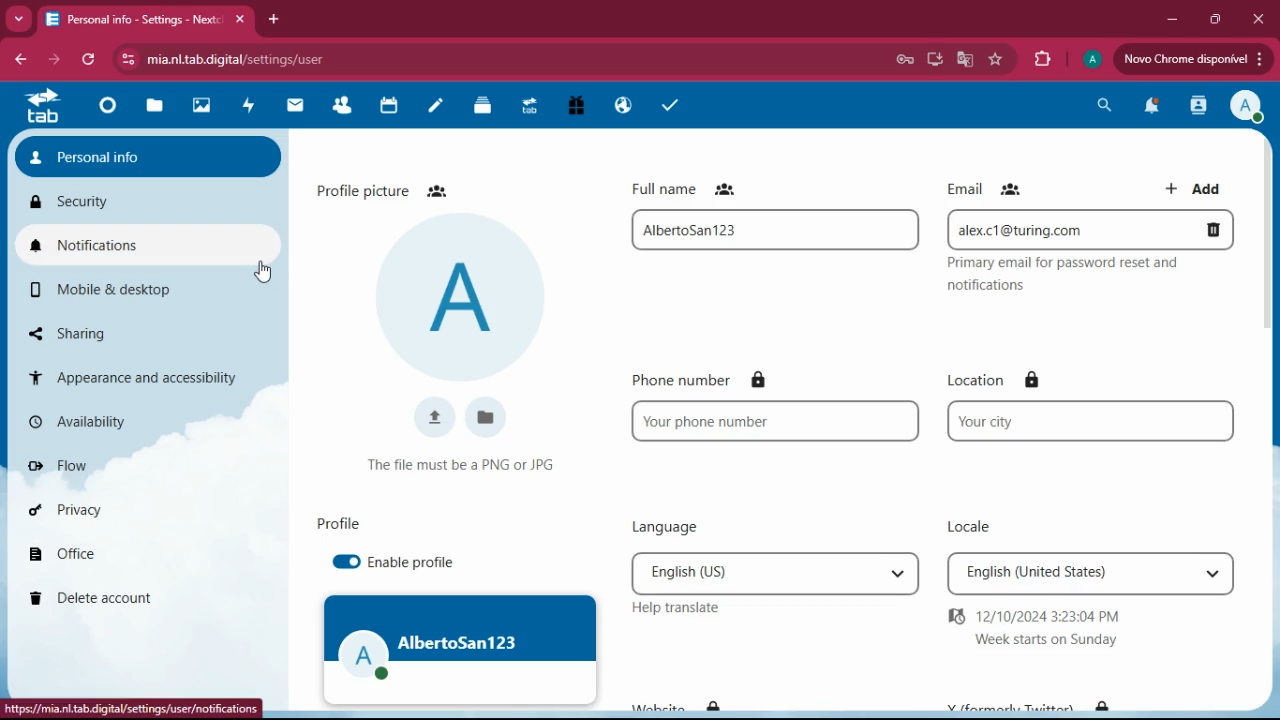  I want to click on more, so click(19, 20).